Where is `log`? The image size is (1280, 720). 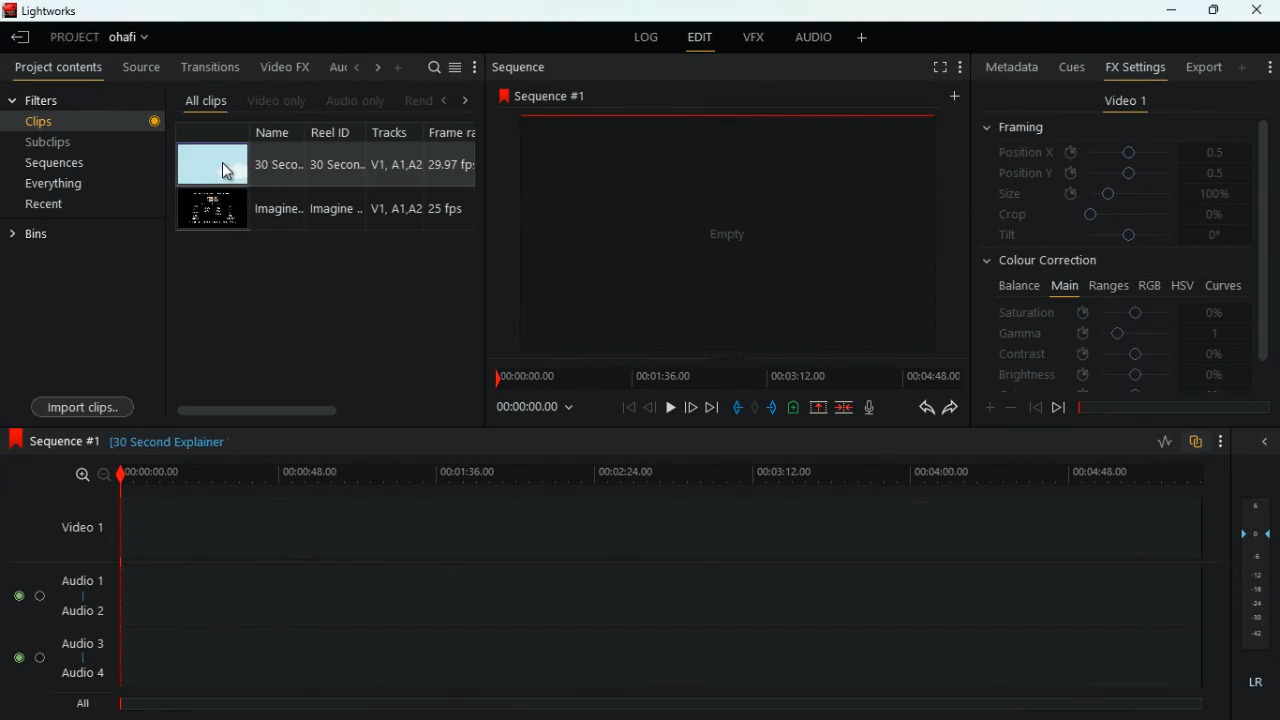
log is located at coordinates (650, 37).